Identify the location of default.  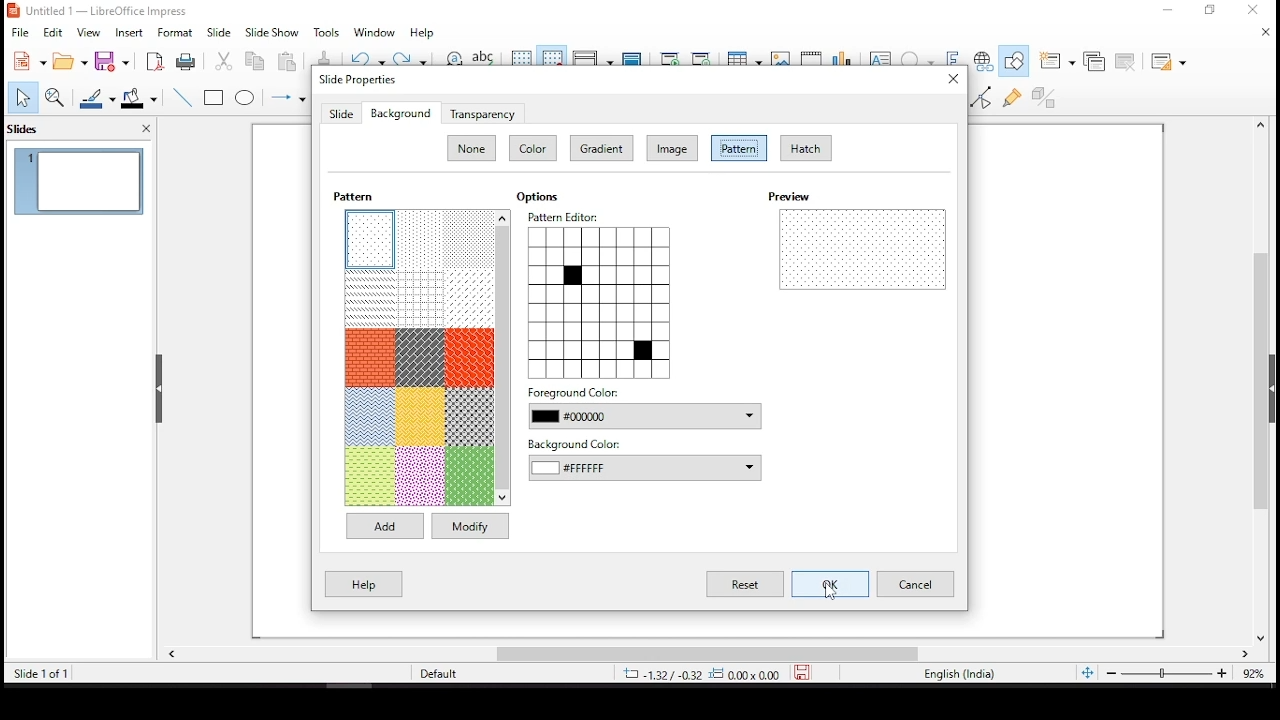
(439, 674).